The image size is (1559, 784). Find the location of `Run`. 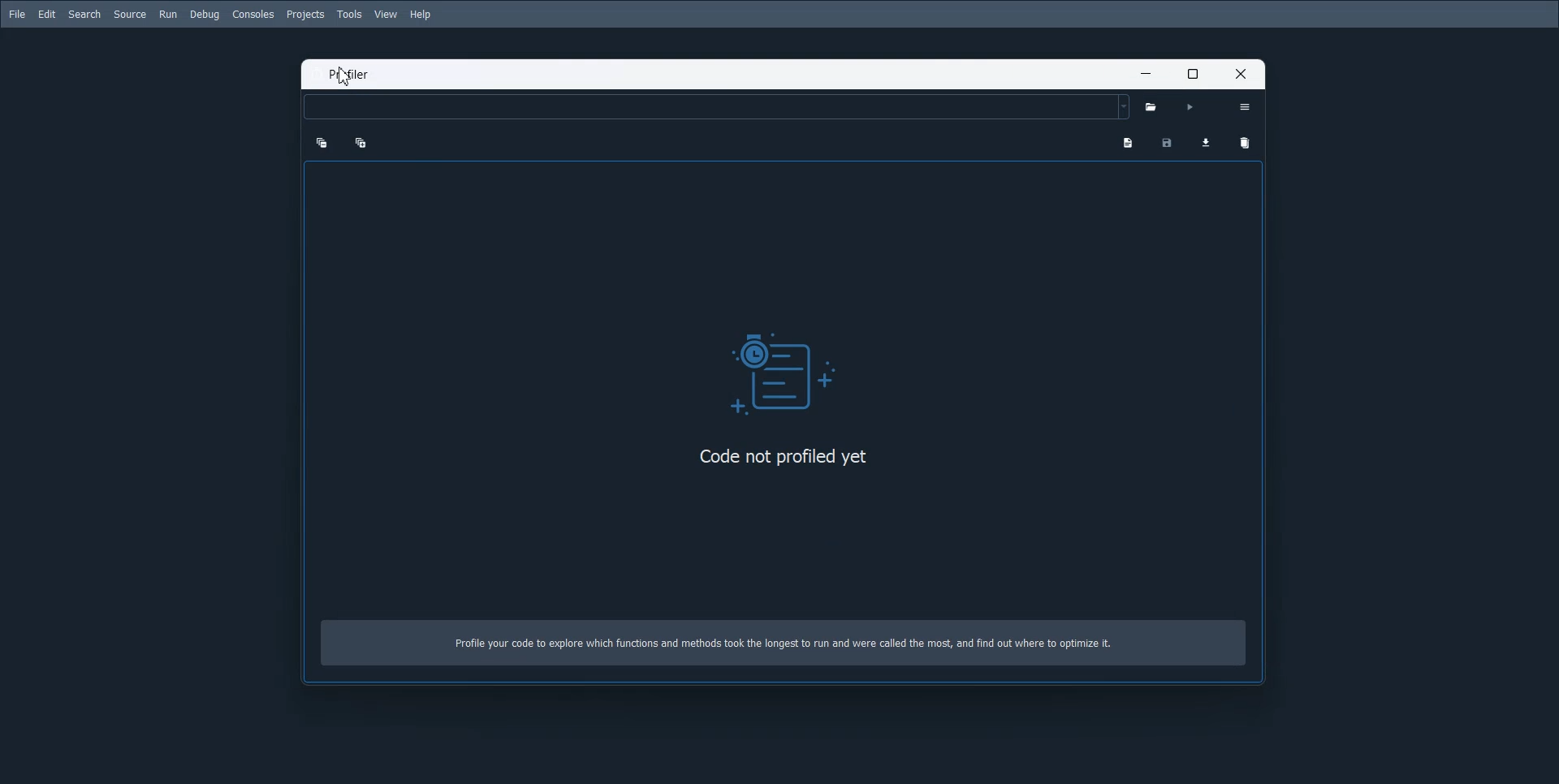

Run is located at coordinates (167, 14).